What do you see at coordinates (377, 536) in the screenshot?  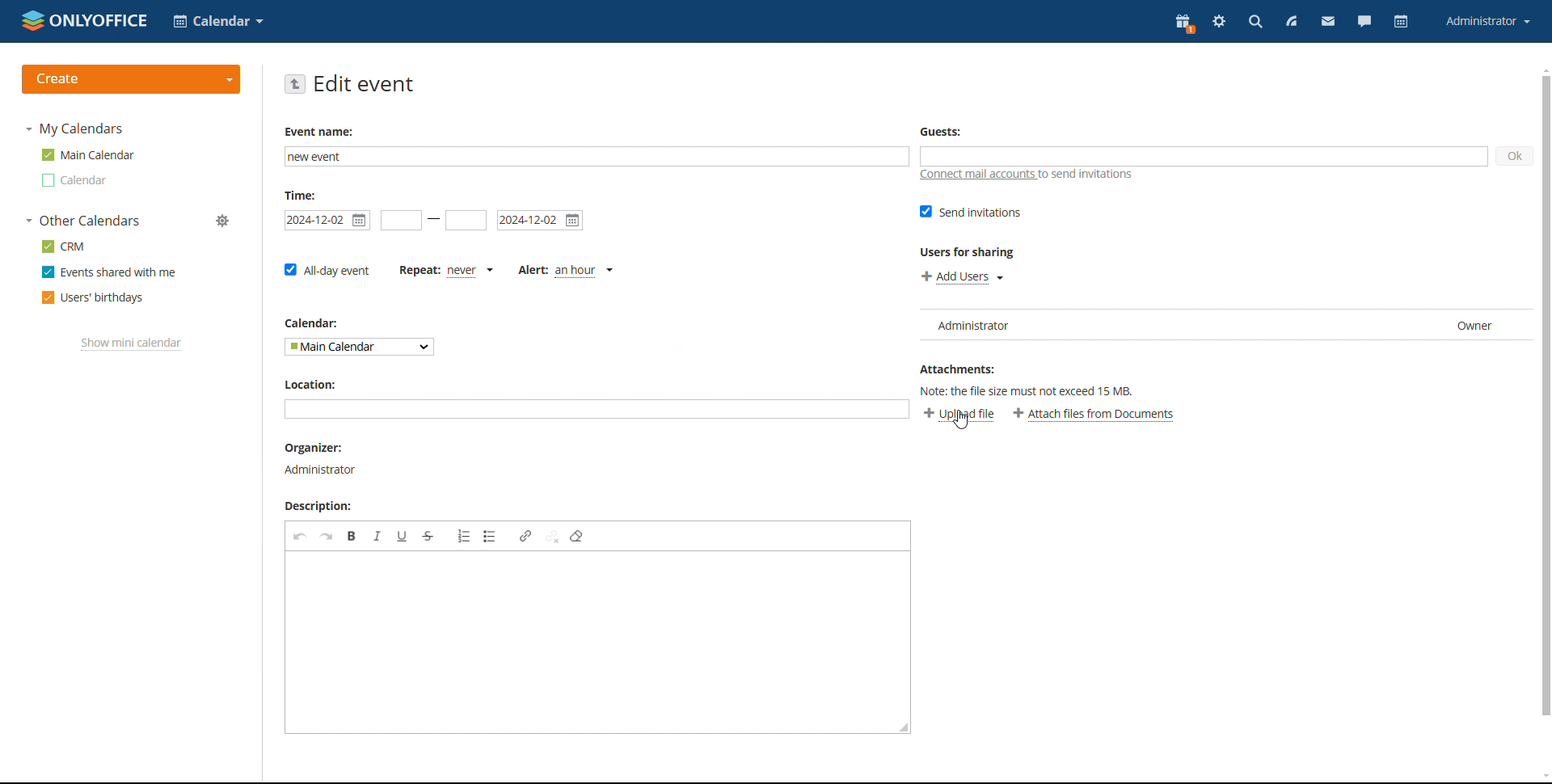 I see `italic` at bounding box center [377, 536].